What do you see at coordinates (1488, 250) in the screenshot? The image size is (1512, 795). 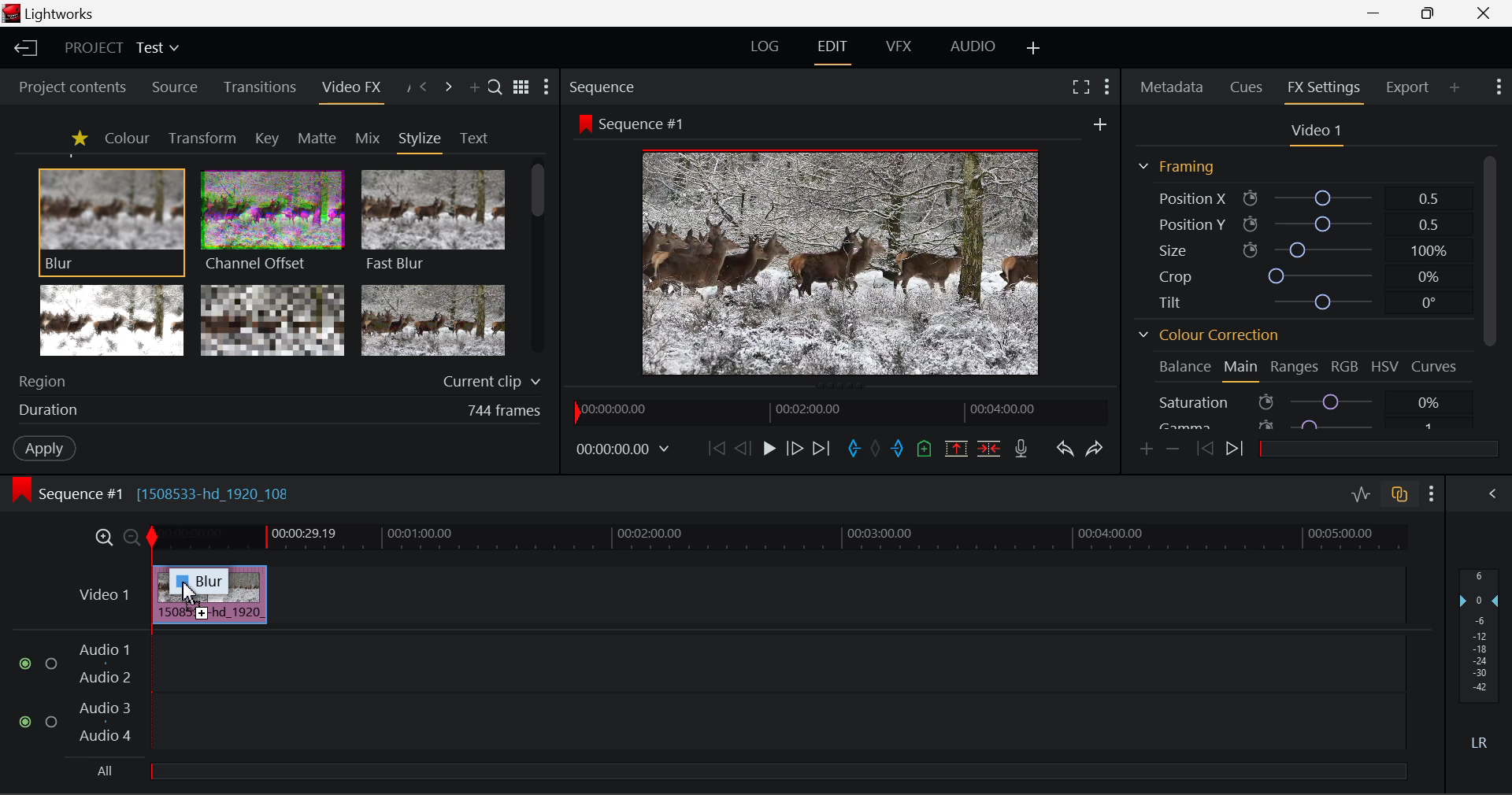 I see `Scroll Bar` at bounding box center [1488, 250].